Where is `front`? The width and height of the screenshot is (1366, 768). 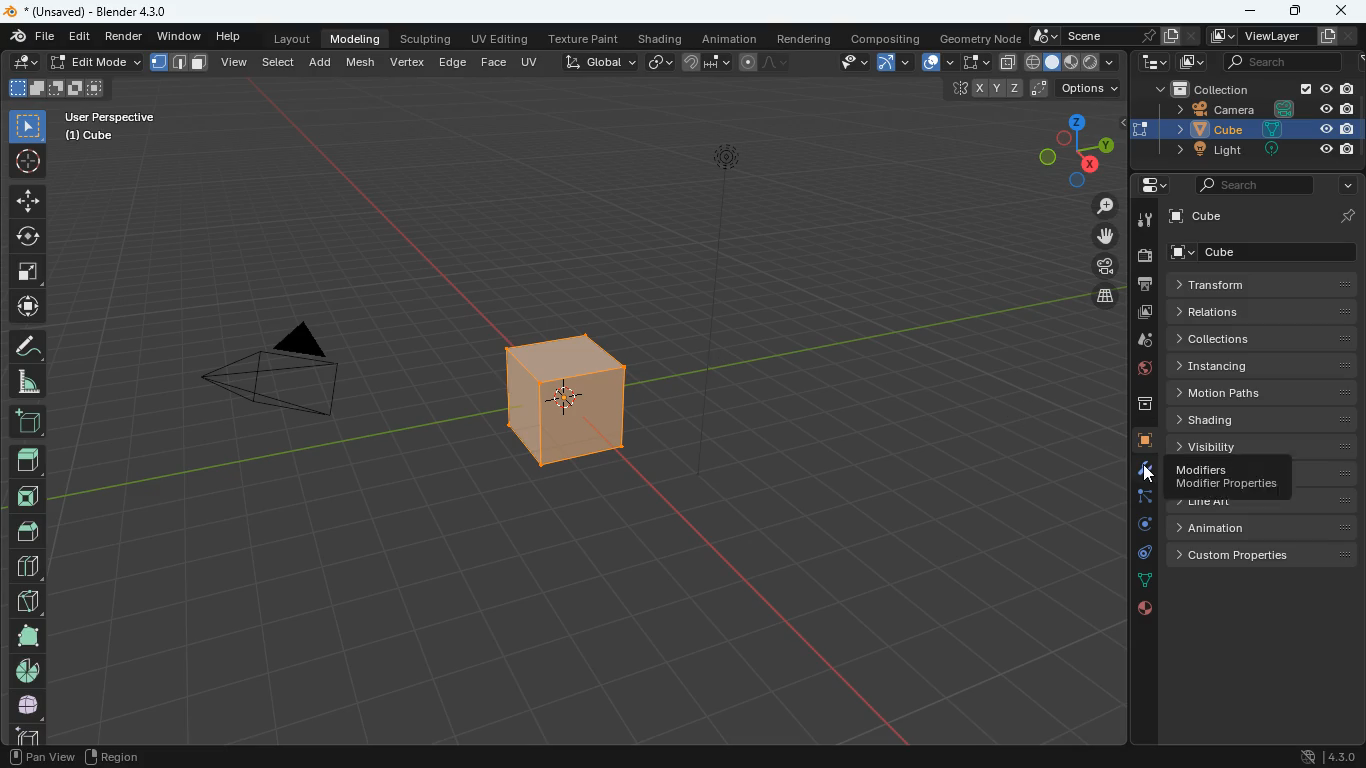 front is located at coordinates (28, 500).